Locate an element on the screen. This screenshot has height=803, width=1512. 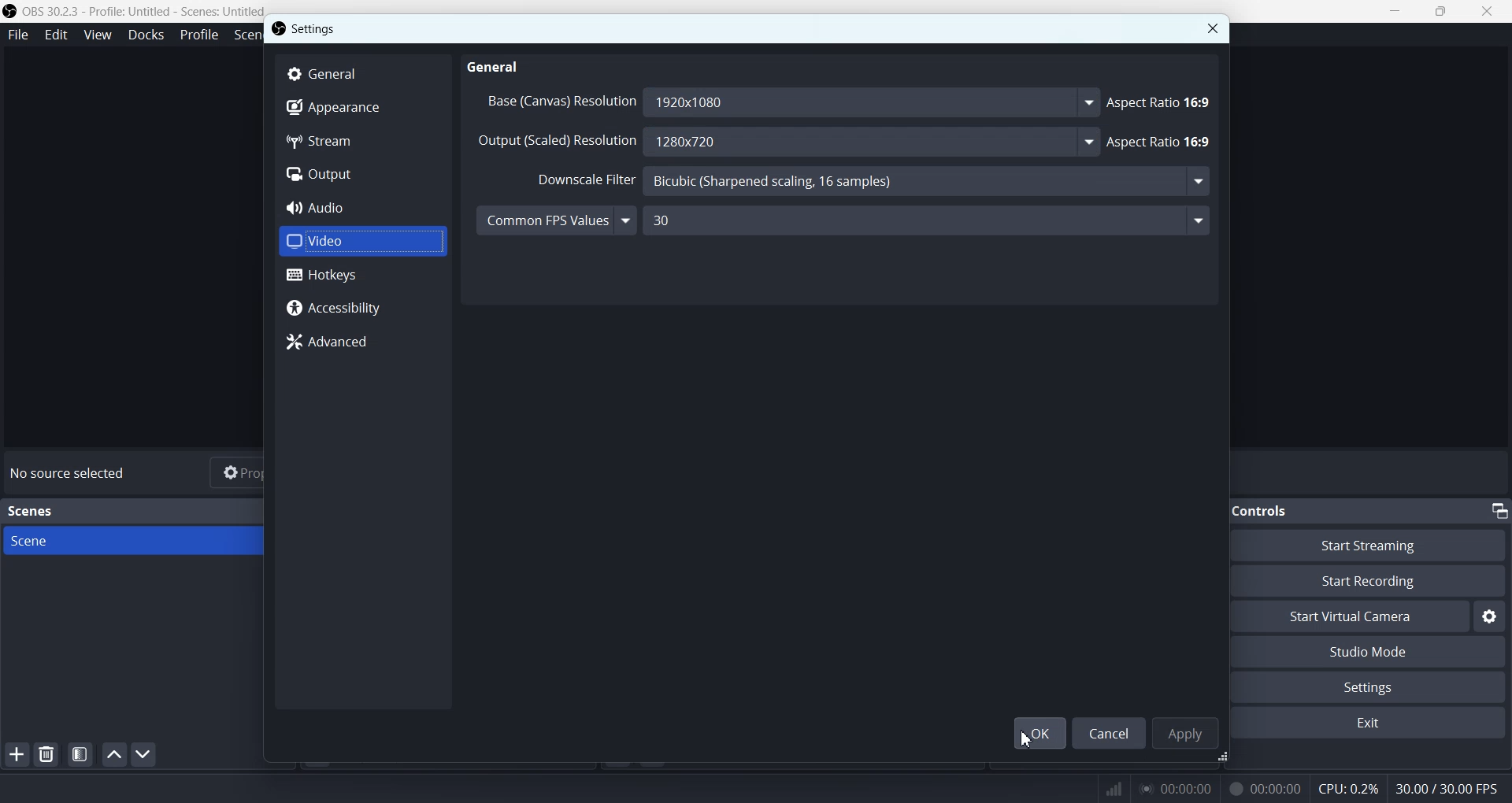
Video is located at coordinates (362, 241).